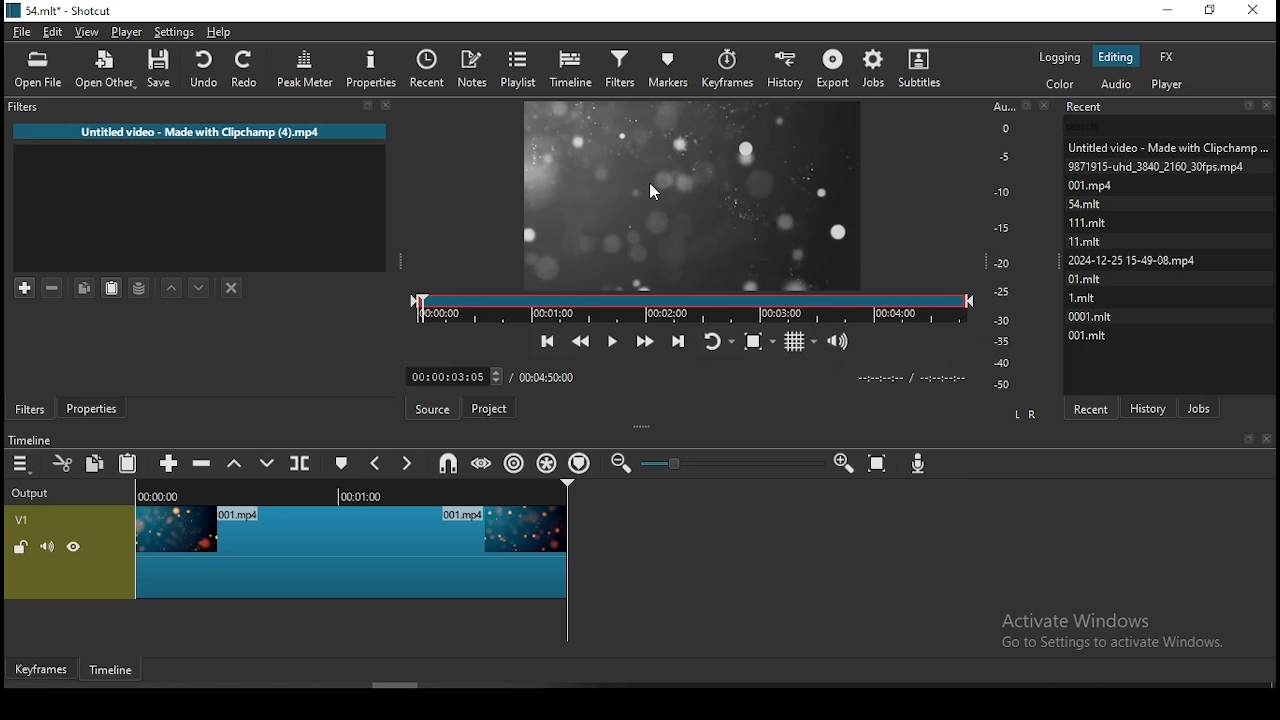  I want to click on timer, so click(907, 378).